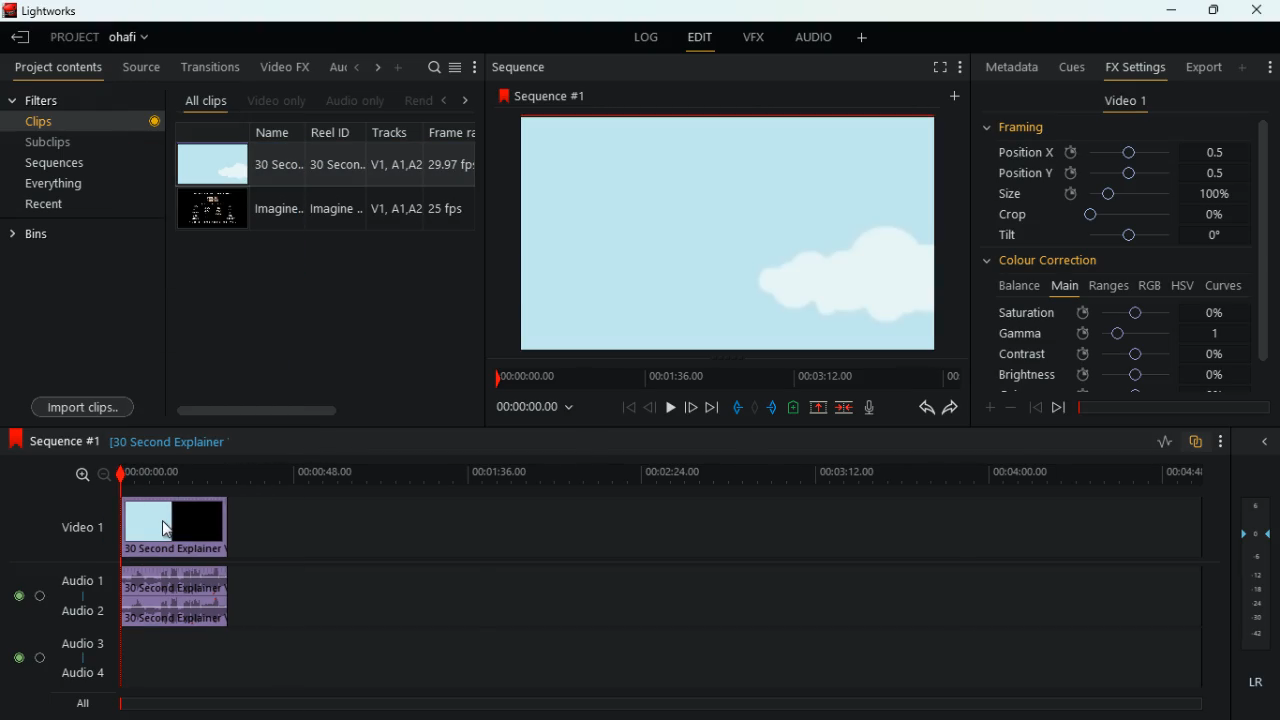  What do you see at coordinates (354, 67) in the screenshot?
I see `left` at bounding box center [354, 67].